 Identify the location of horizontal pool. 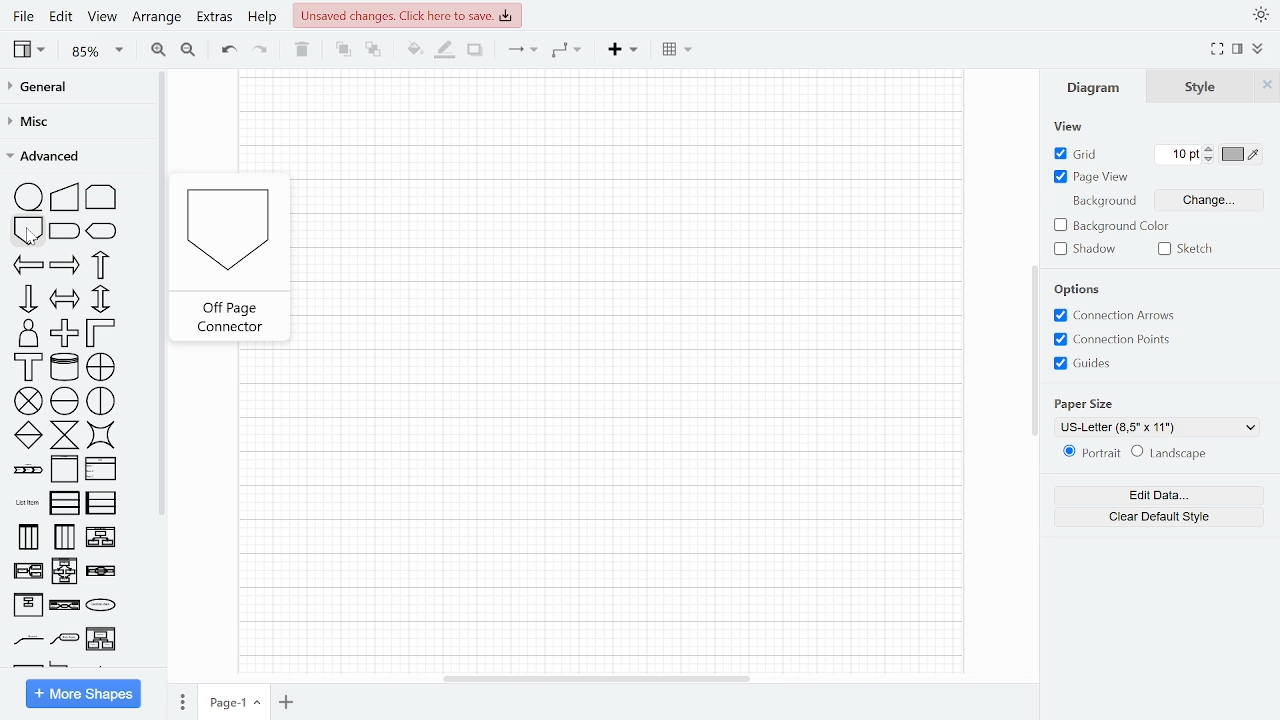
(66, 503).